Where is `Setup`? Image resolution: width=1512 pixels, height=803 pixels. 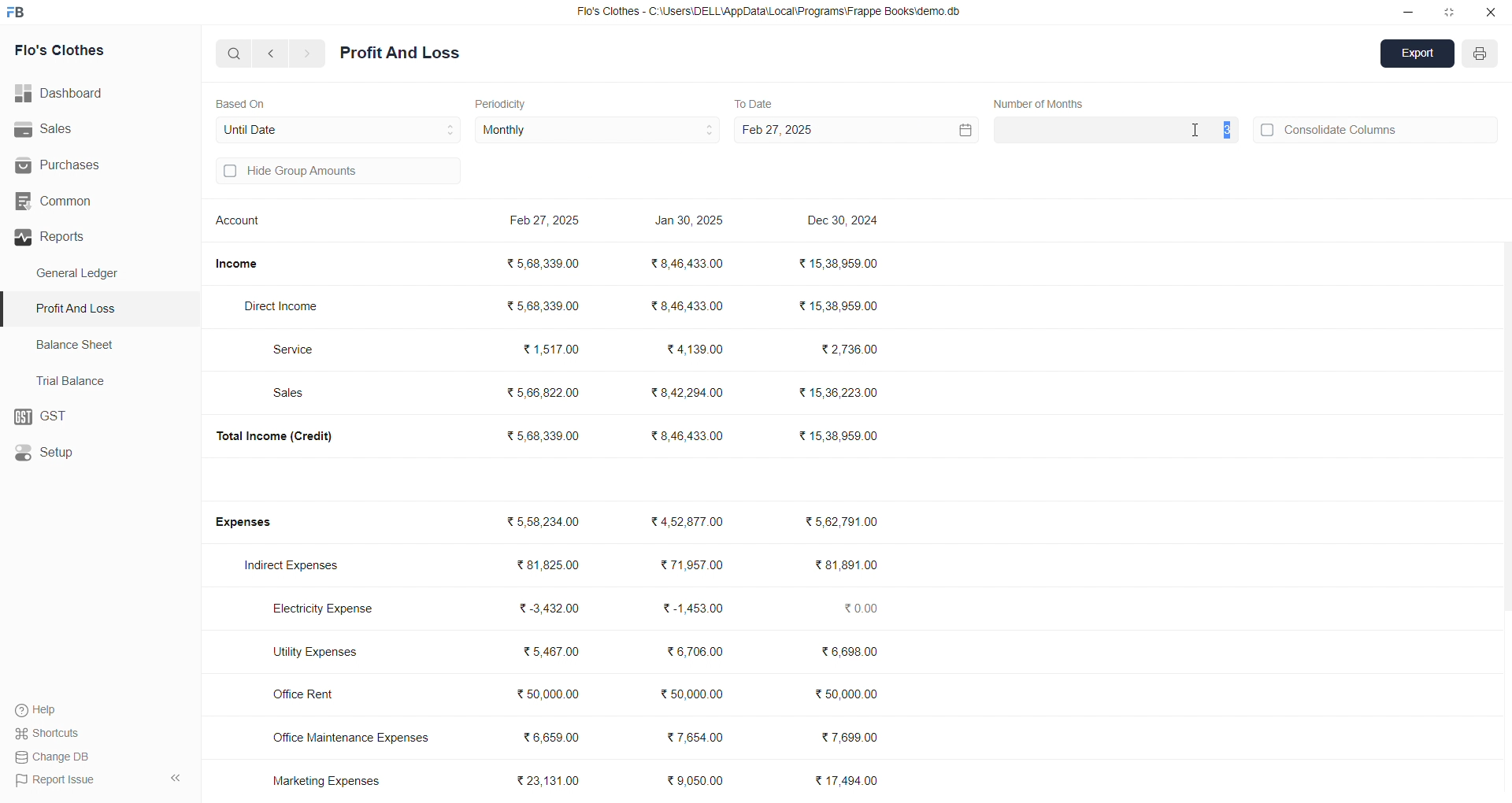 Setup is located at coordinates (91, 453).